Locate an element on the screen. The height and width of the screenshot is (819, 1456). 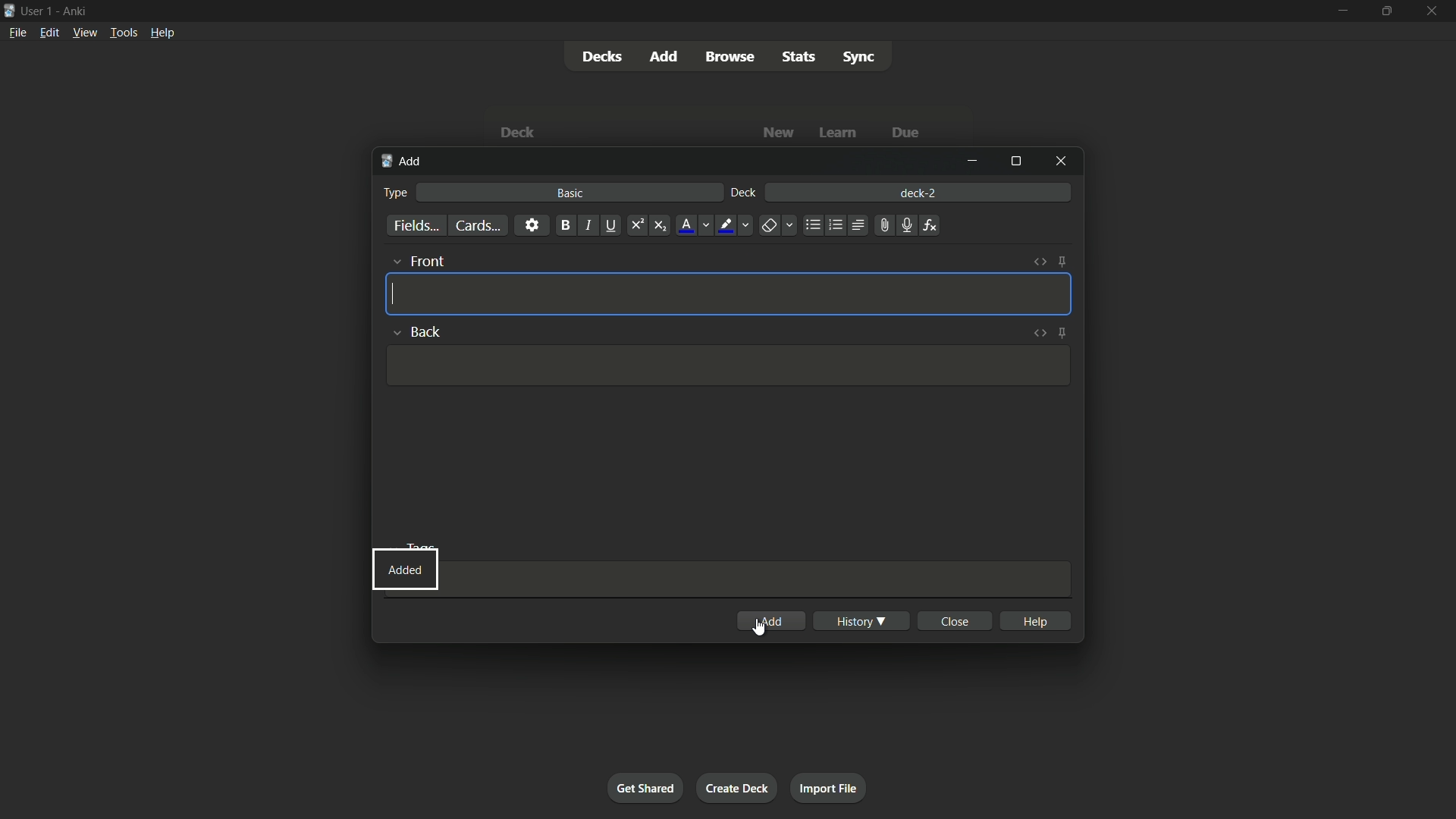
subscript is located at coordinates (660, 226).